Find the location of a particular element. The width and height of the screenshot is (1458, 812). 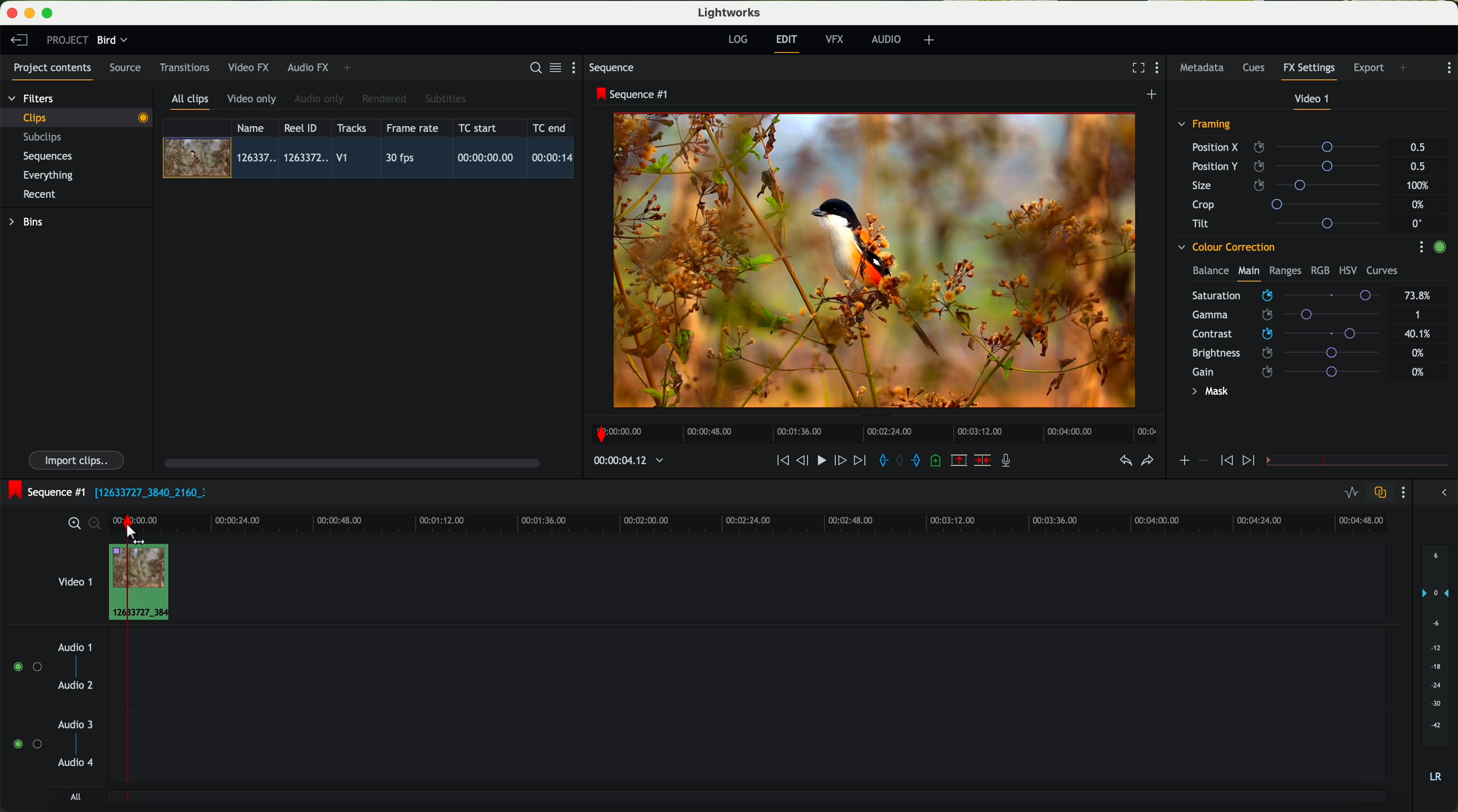

import clips is located at coordinates (78, 459).